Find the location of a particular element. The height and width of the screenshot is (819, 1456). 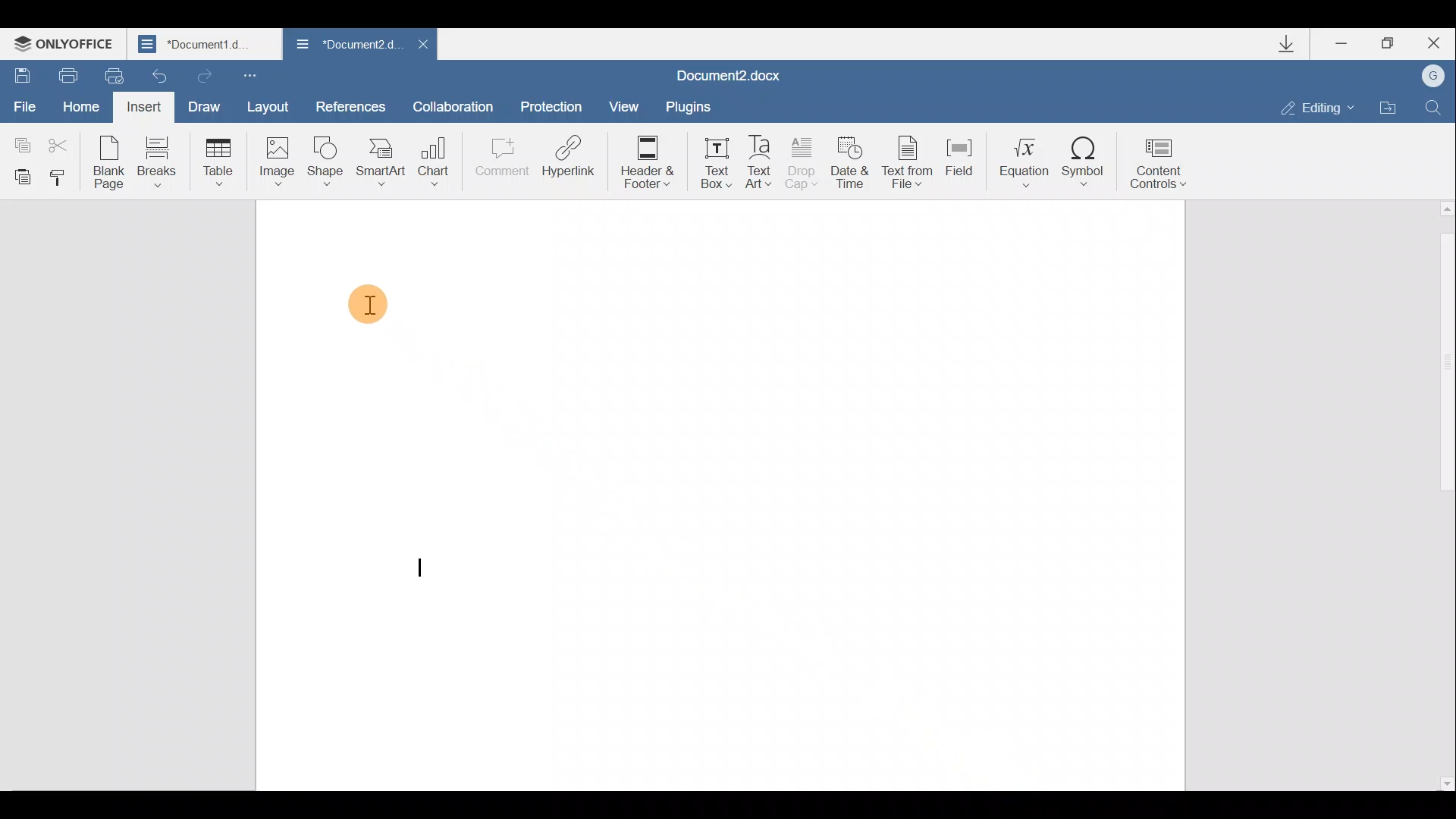

Undo is located at coordinates (155, 76).